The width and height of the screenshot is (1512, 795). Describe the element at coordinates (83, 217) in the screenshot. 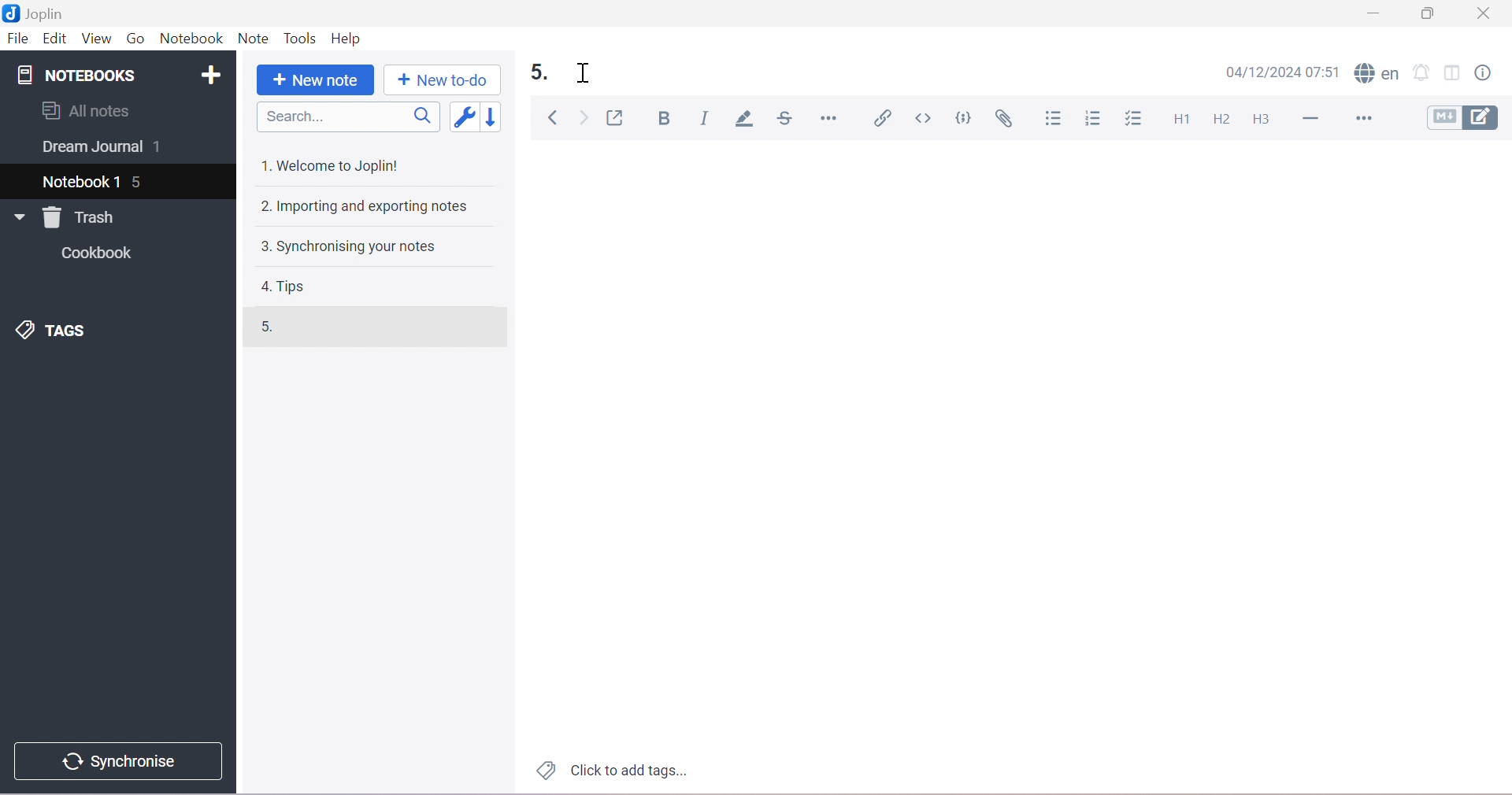

I see `Trash` at that location.